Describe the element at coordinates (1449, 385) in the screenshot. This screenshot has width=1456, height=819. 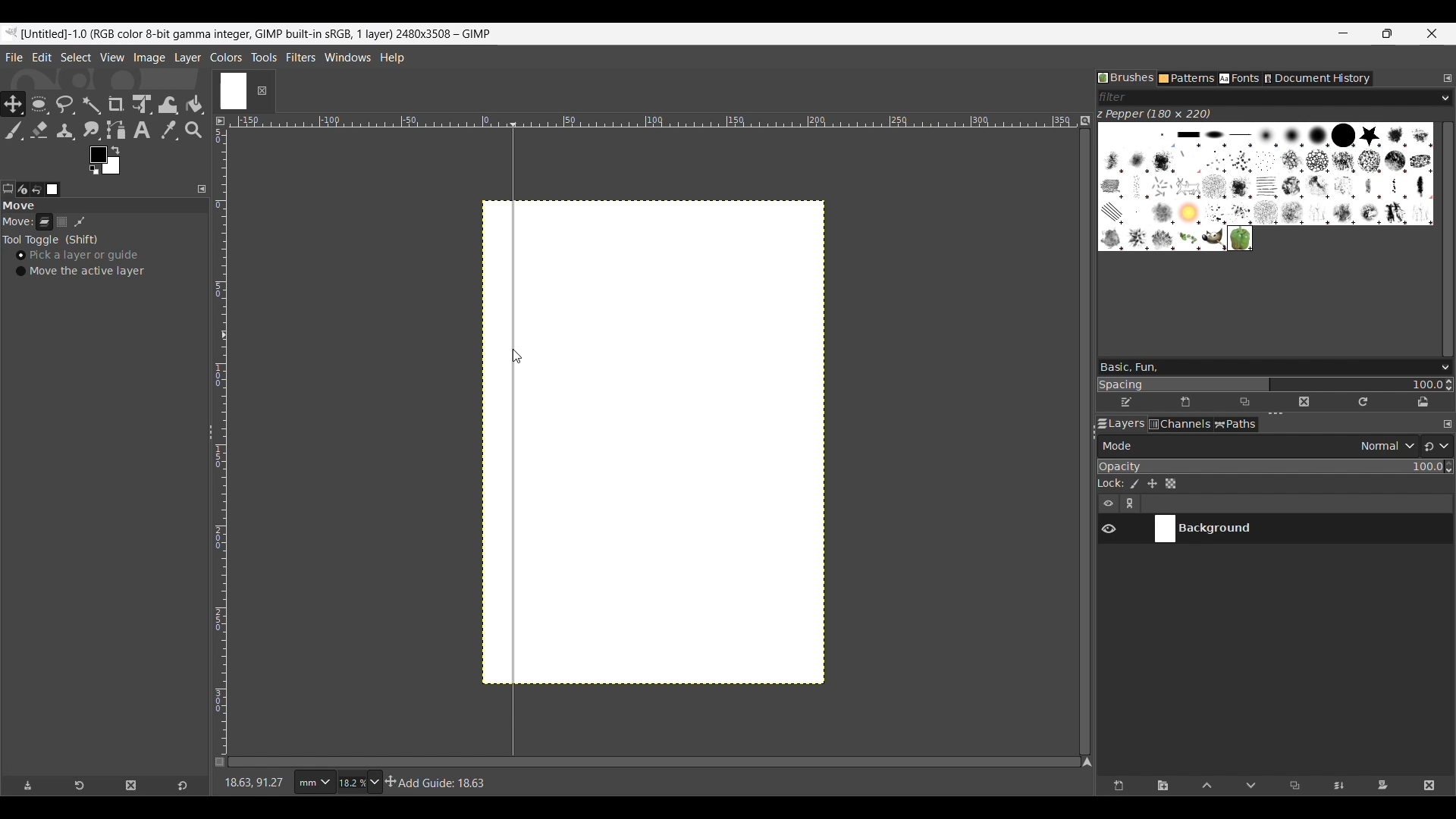
I see `Increase/Decrease spacing` at that location.